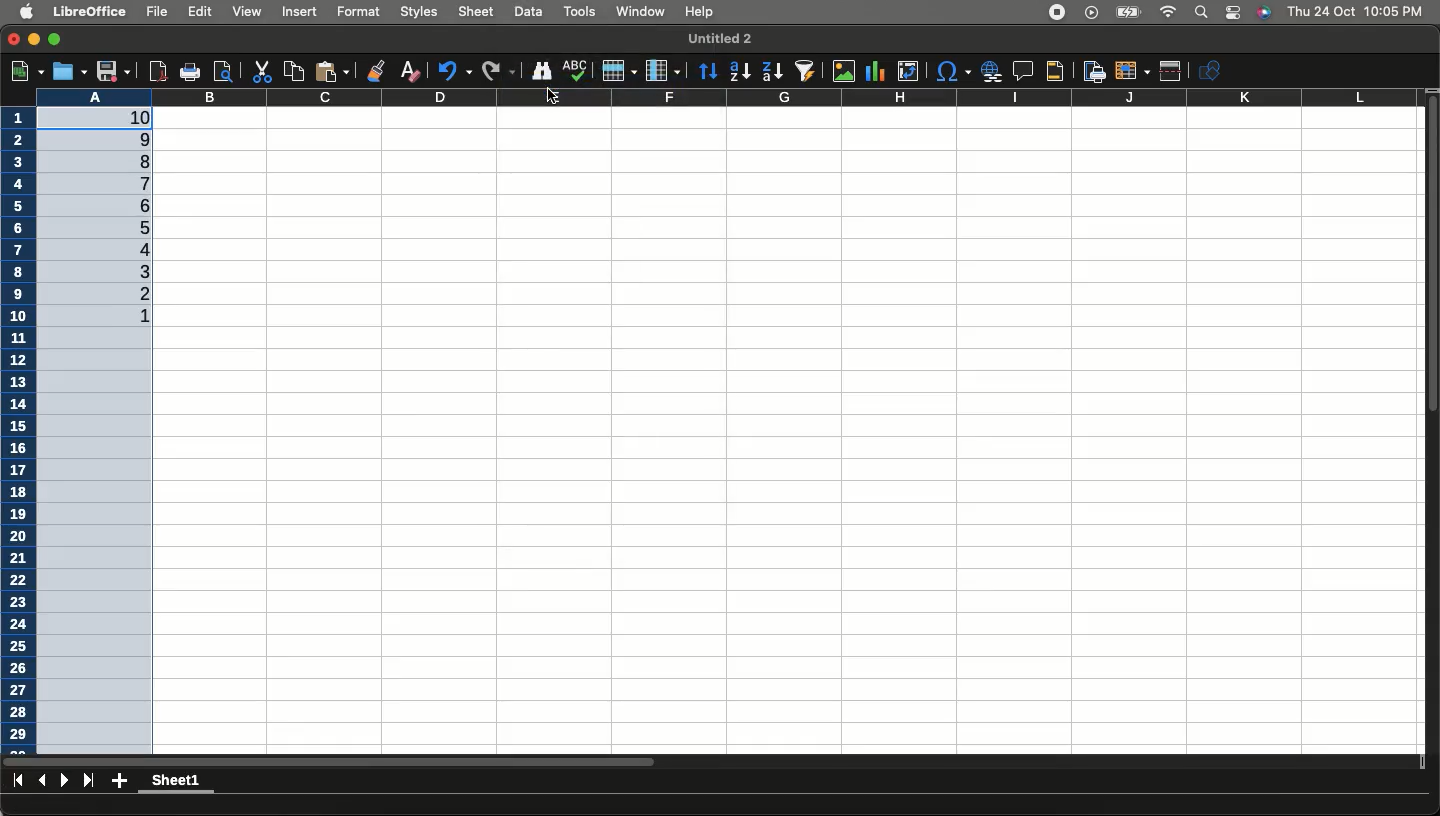 The width and height of the screenshot is (1440, 816). Describe the element at coordinates (184, 778) in the screenshot. I see `sheet1` at that location.